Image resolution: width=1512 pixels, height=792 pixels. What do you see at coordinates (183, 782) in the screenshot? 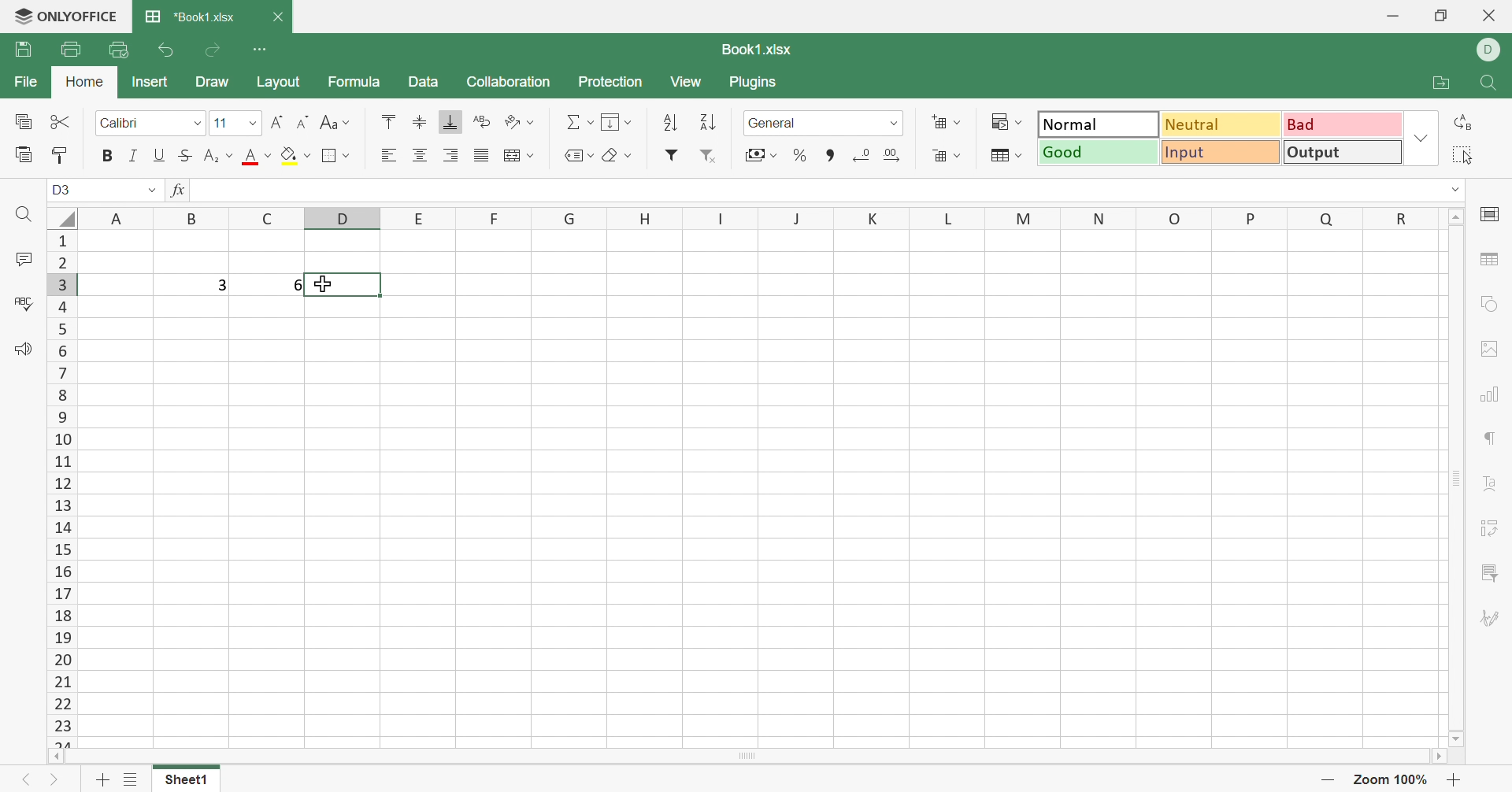
I see `Sheet1` at bounding box center [183, 782].